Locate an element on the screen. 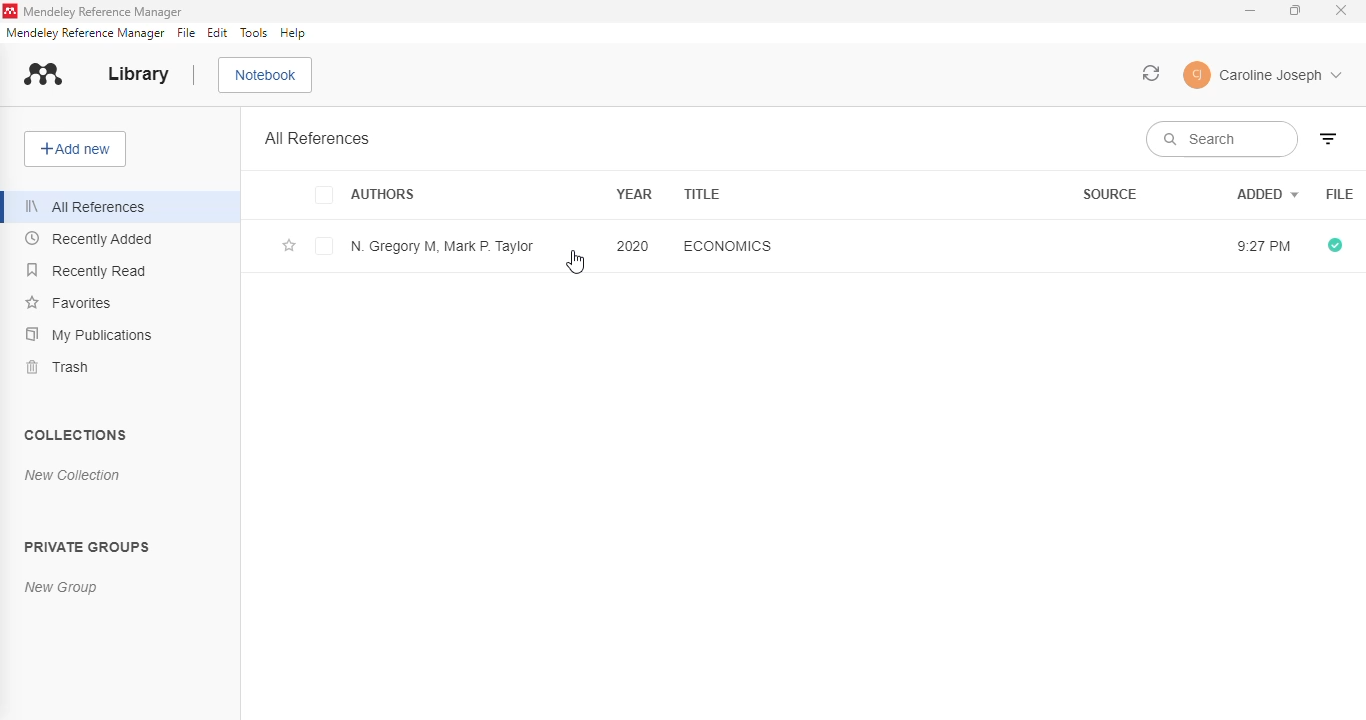  all references is located at coordinates (86, 207).